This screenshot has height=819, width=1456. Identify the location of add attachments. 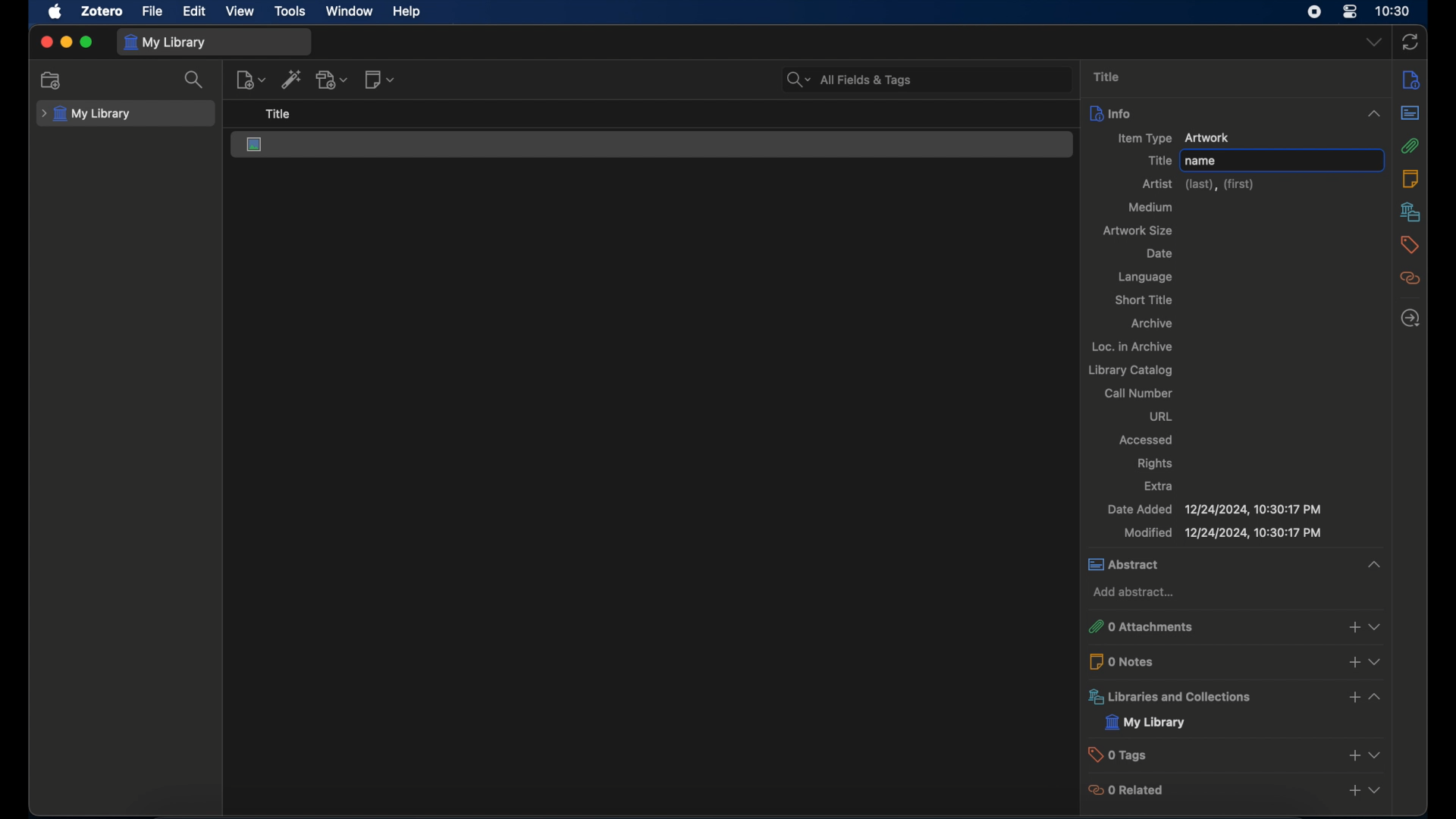
(332, 80).